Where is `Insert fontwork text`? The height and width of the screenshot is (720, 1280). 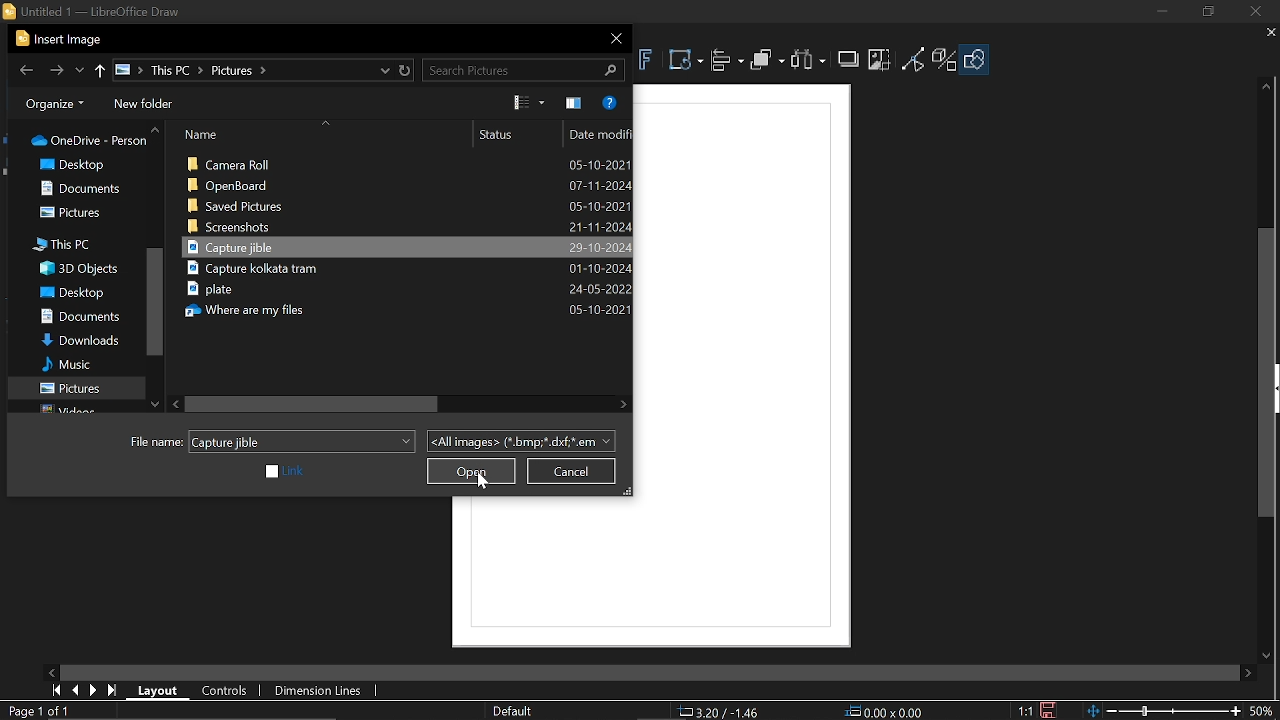
Insert fontwork text is located at coordinates (647, 60).